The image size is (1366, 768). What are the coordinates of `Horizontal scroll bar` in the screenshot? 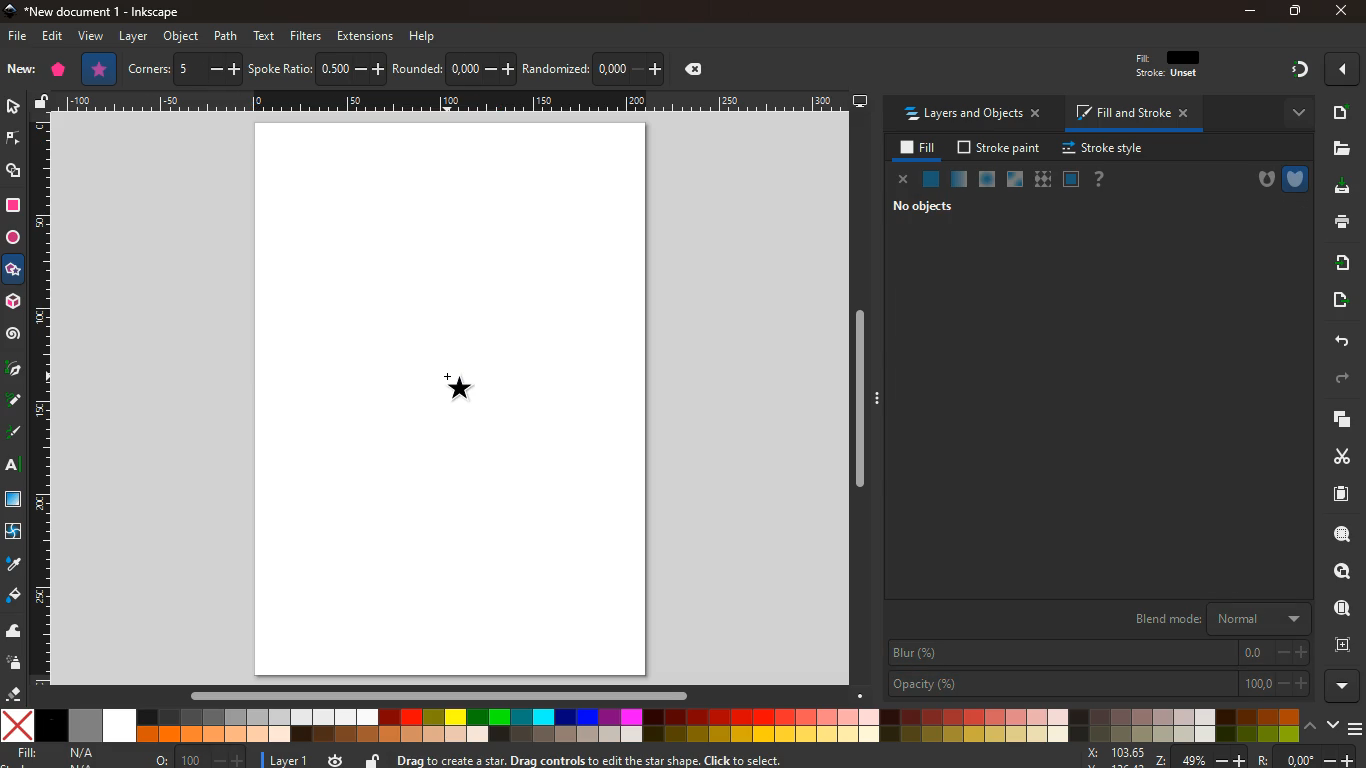 It's located at (450, 699).